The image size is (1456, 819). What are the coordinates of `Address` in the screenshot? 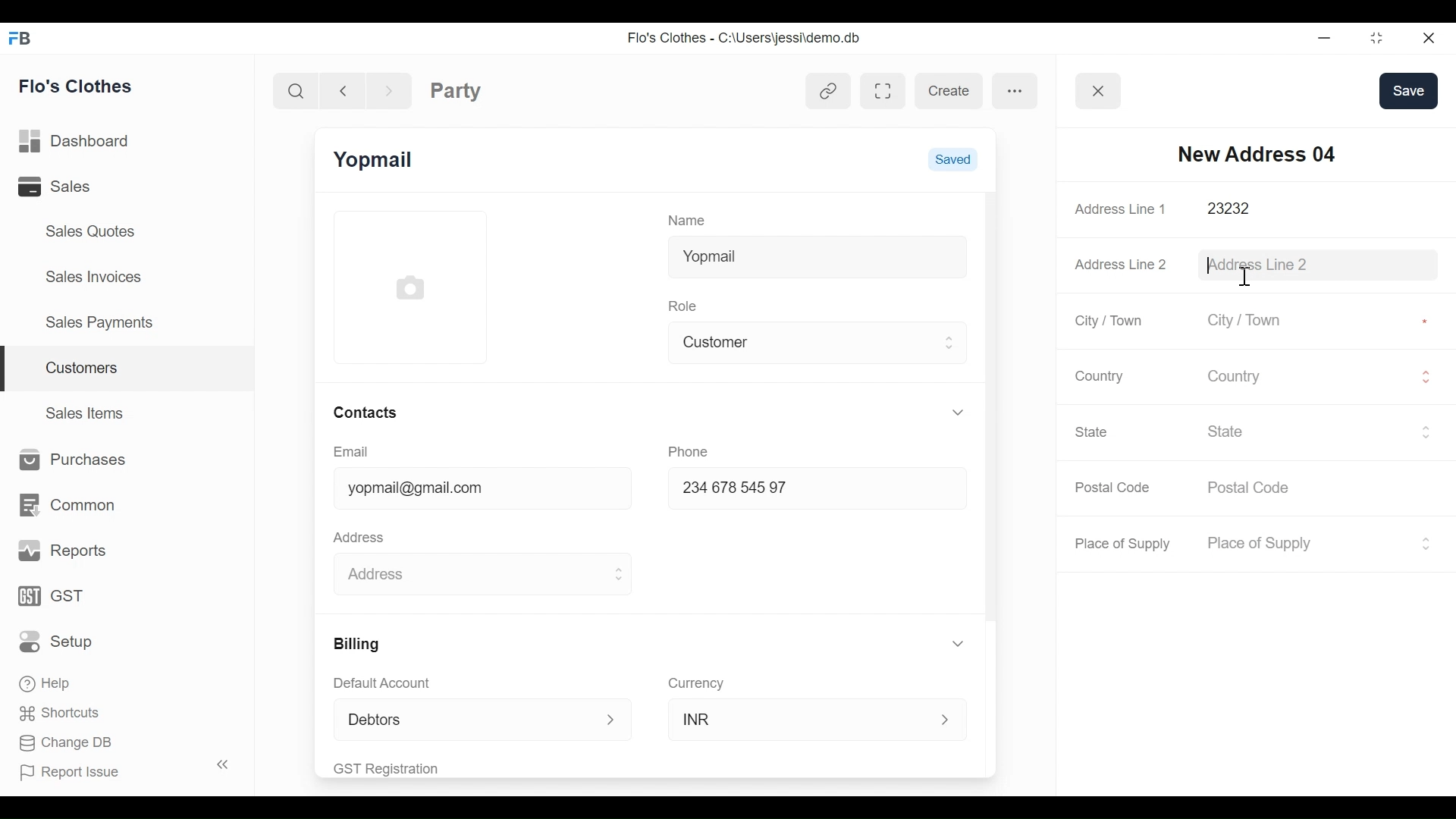 It's located at (465, 571).